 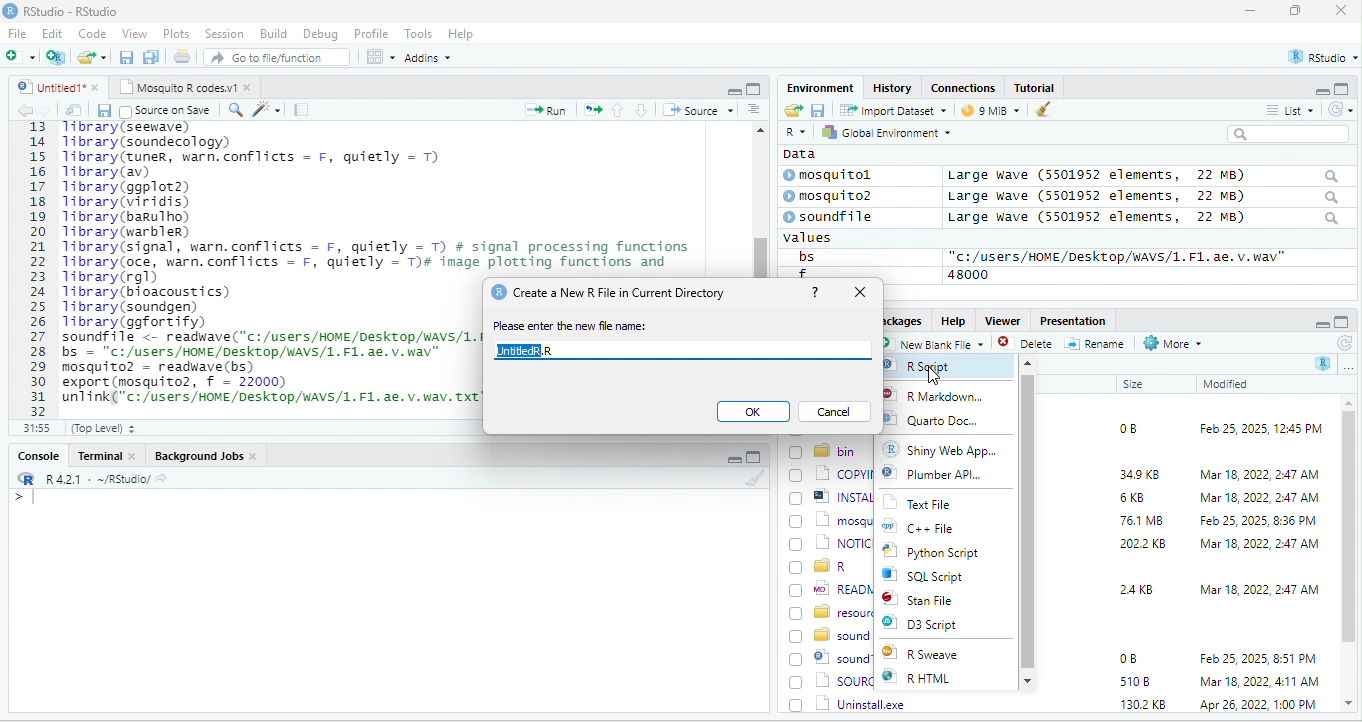 What do you see at coordinates (951, 449) in the screenshot?
I see `Shiny Web App...` at bounding box center [951, 449].